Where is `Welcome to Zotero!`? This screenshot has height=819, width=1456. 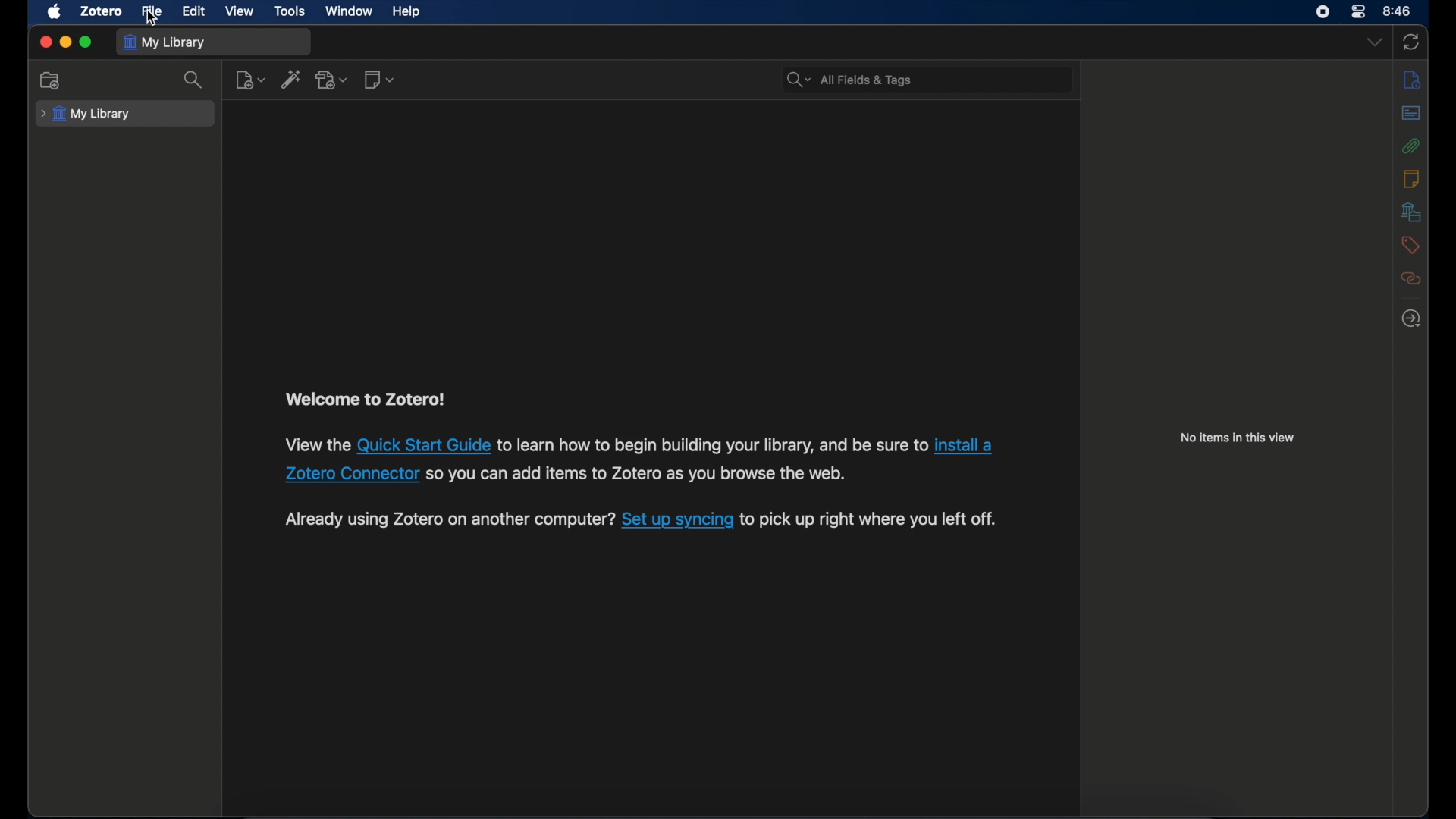
Welcome to Zotero! is located at coordinates (373, 399).